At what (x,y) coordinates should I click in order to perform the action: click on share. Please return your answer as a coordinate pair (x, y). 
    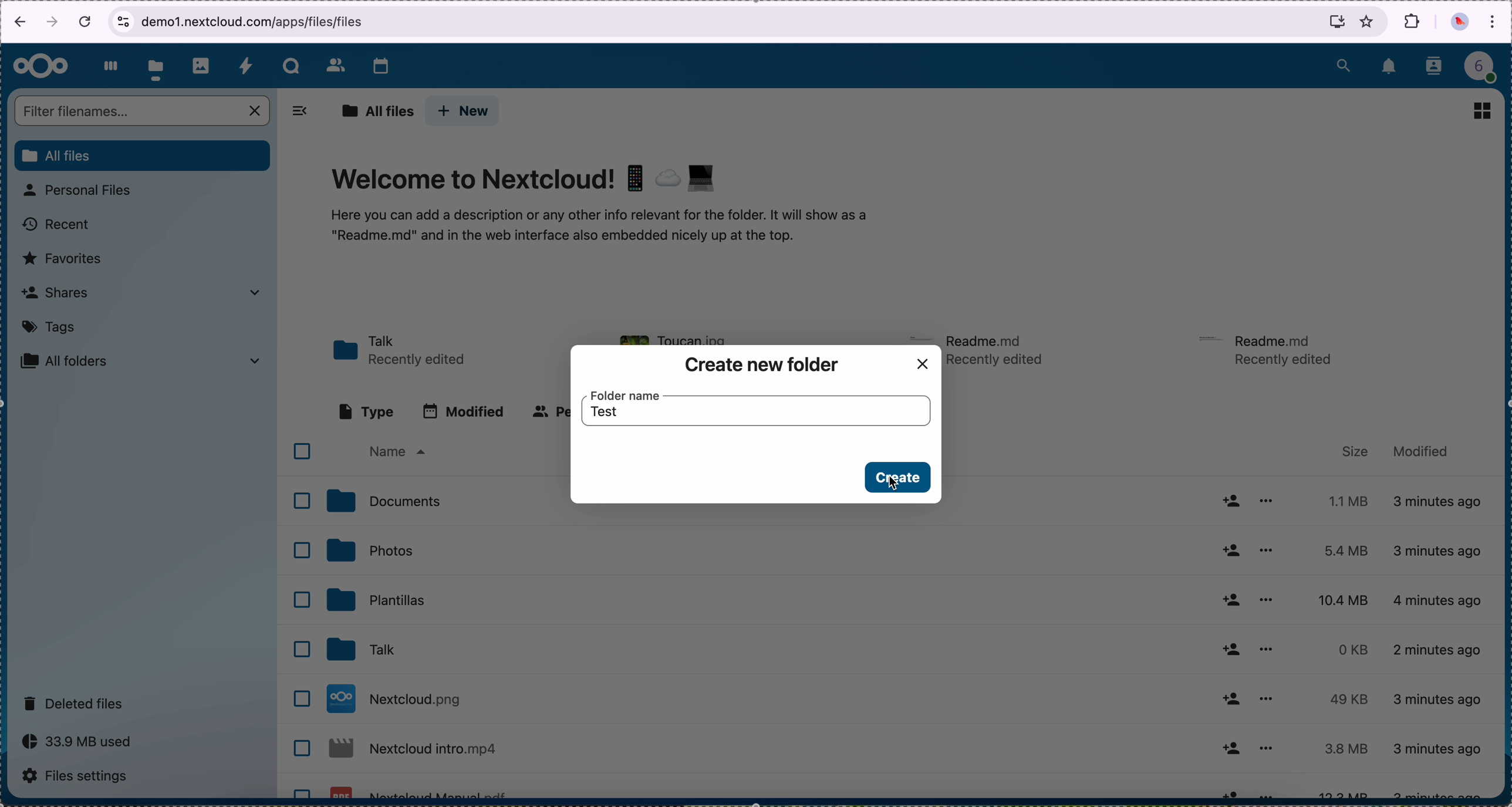
    Looking at the image, I should click on (1231, 601).